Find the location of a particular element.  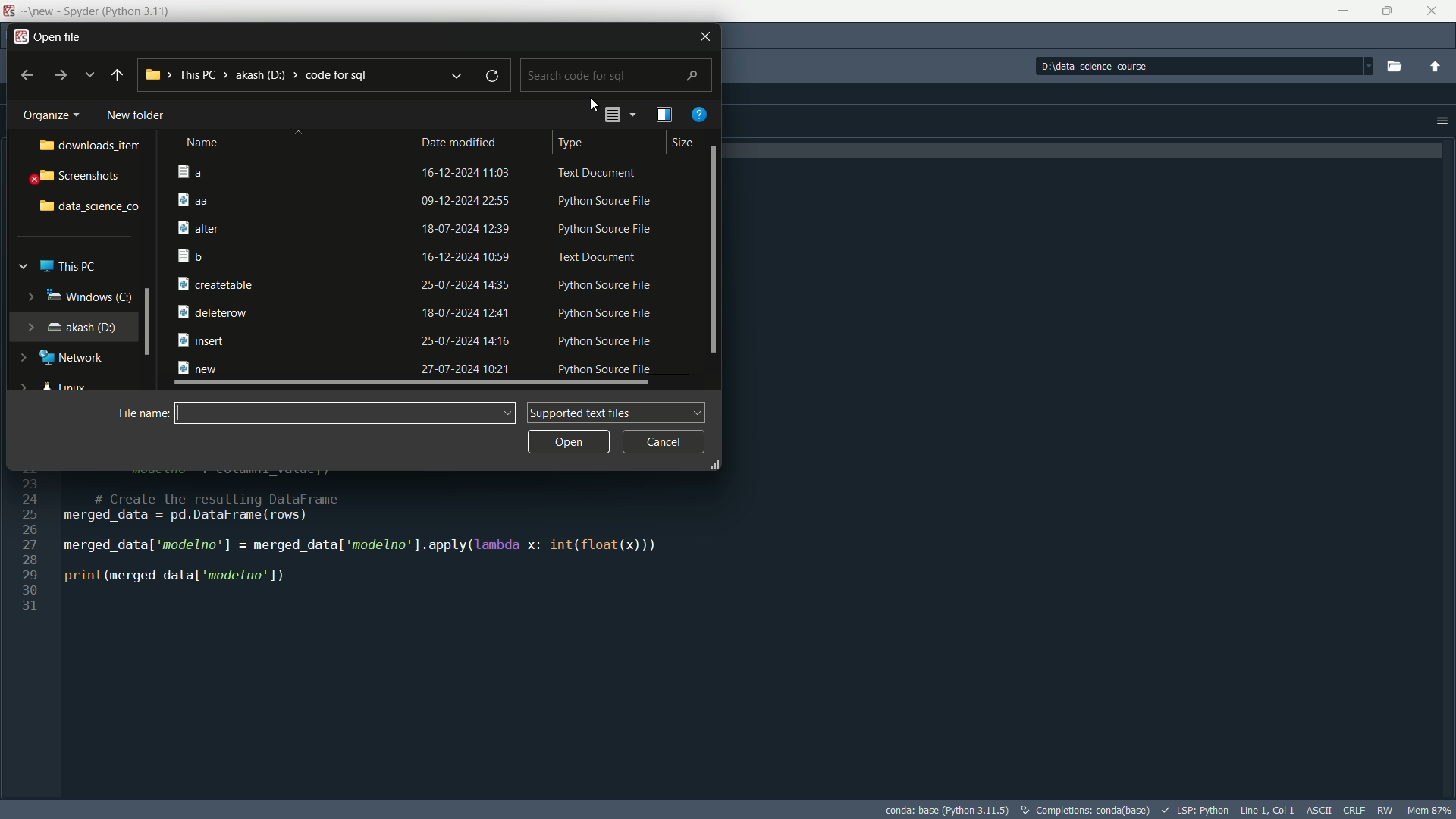

Browse a working directory is located at coordinates (1392, 67).